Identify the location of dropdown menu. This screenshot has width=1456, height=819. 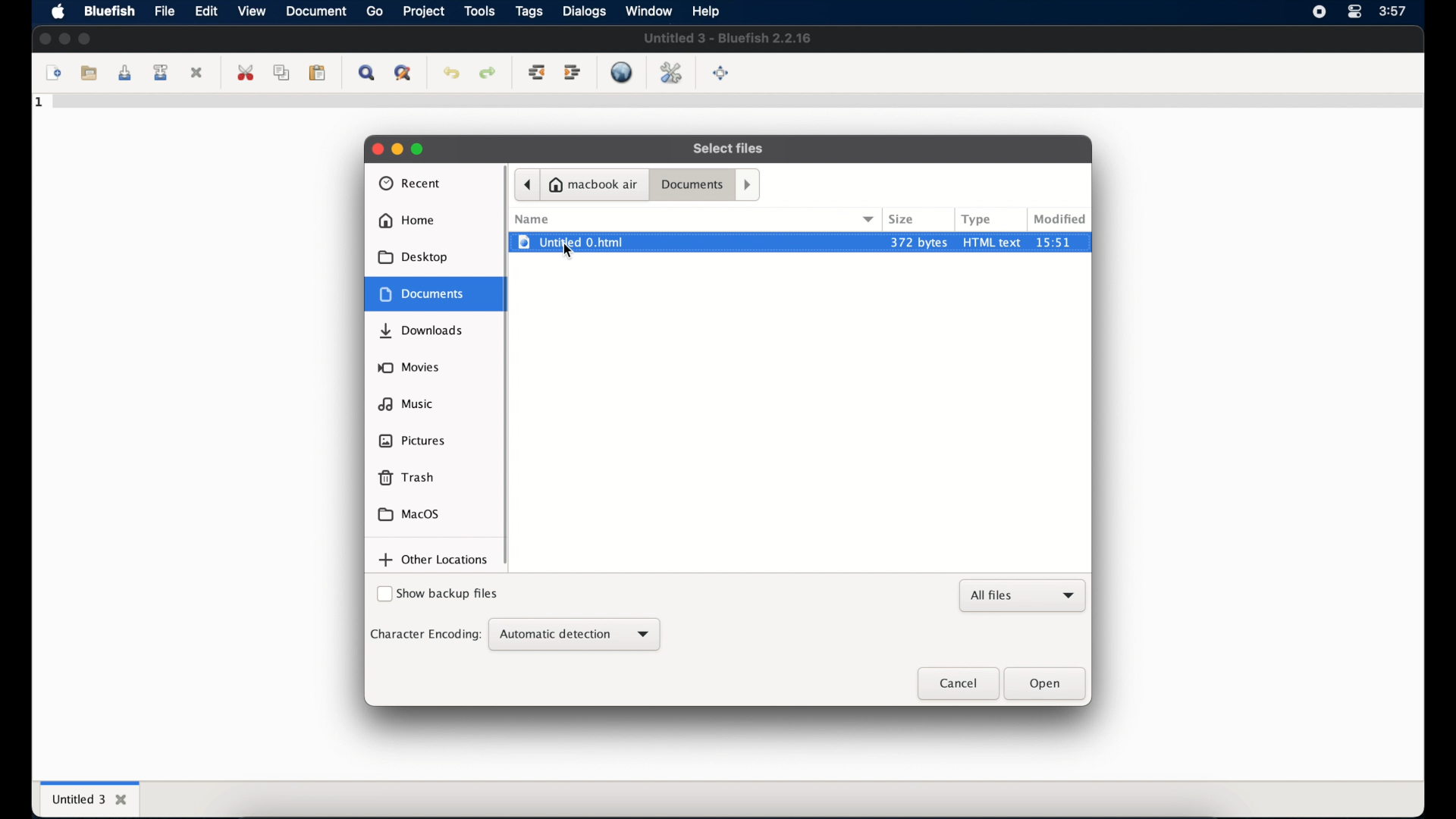
(870, 218).